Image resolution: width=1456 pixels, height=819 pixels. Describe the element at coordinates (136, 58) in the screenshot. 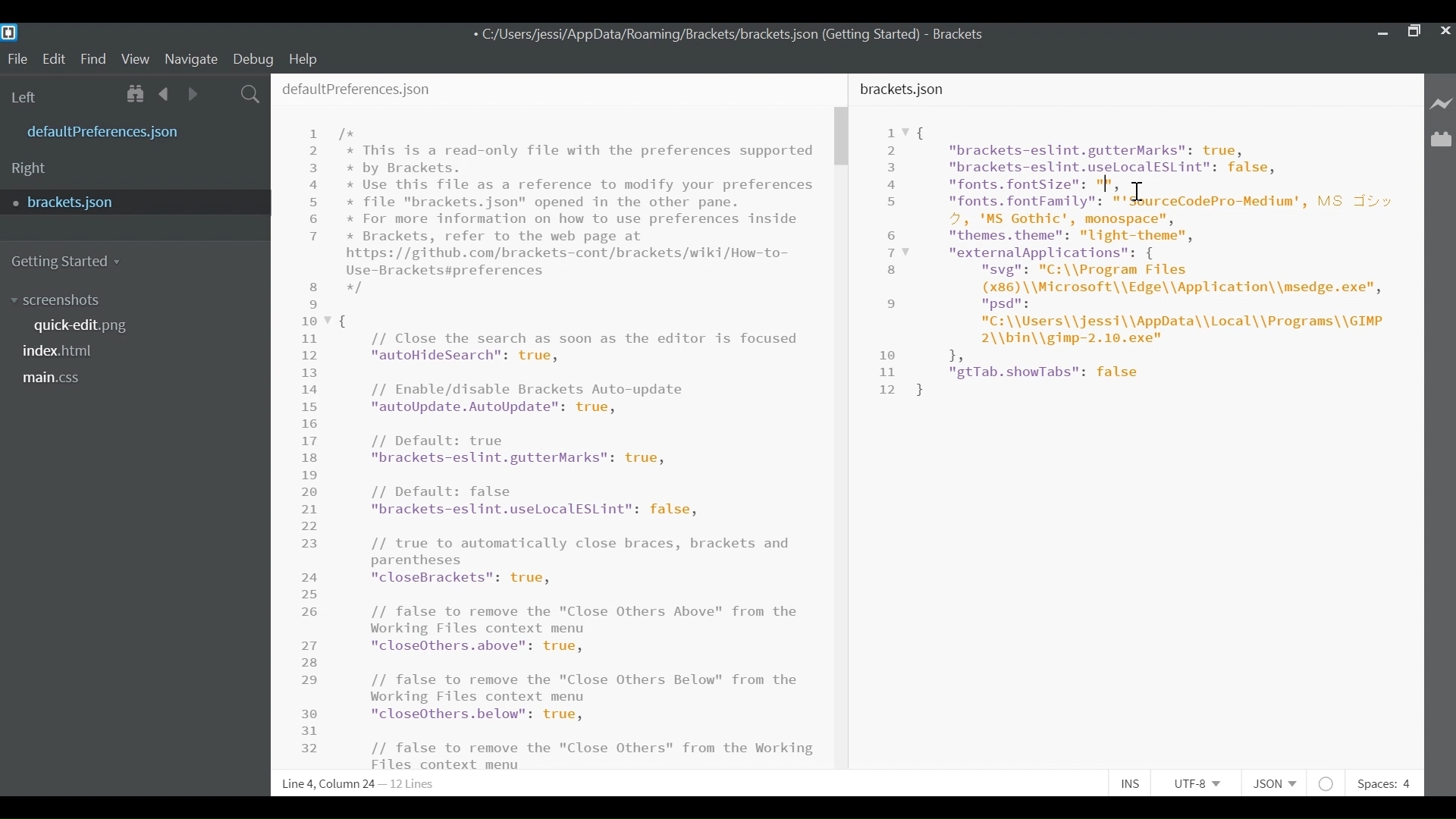

I see `View` at that location.